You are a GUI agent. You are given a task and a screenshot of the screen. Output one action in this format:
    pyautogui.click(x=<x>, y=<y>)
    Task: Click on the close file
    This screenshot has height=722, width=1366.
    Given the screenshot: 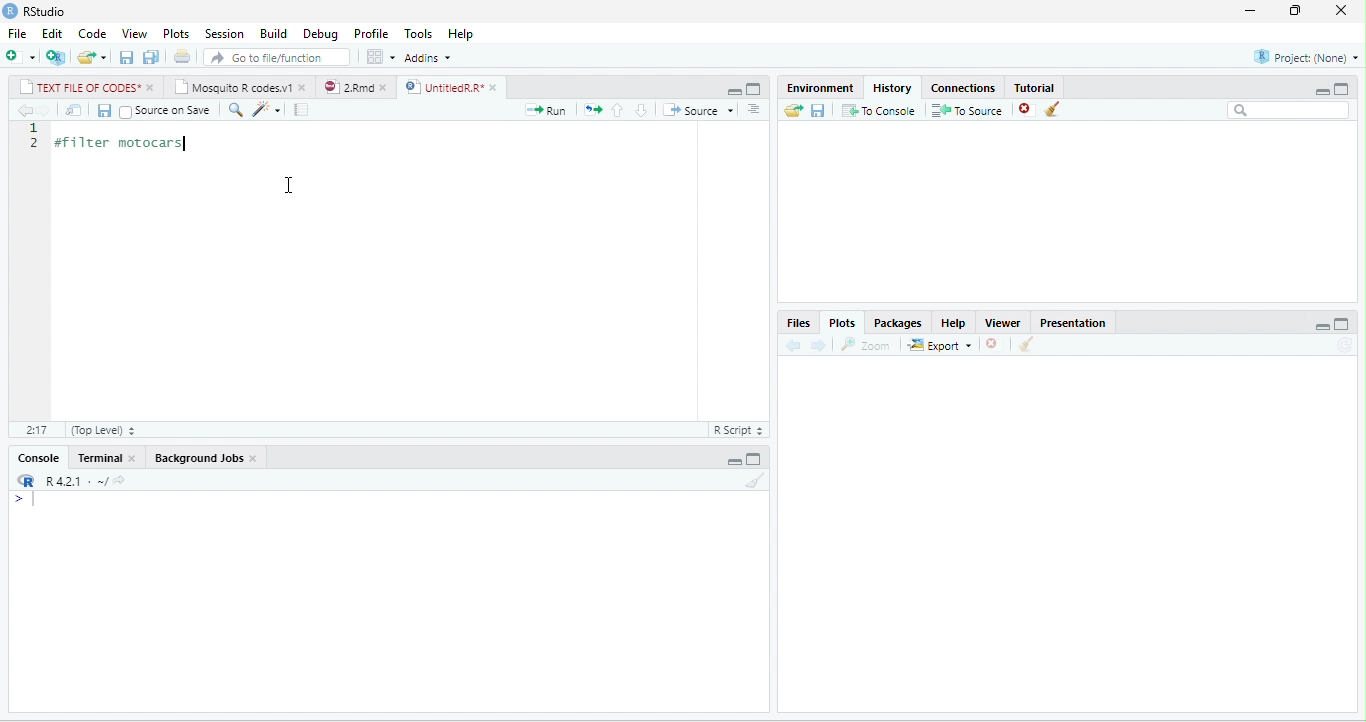 What is the action you would take?
    pyautogui.click(x=1028, y=110)
    